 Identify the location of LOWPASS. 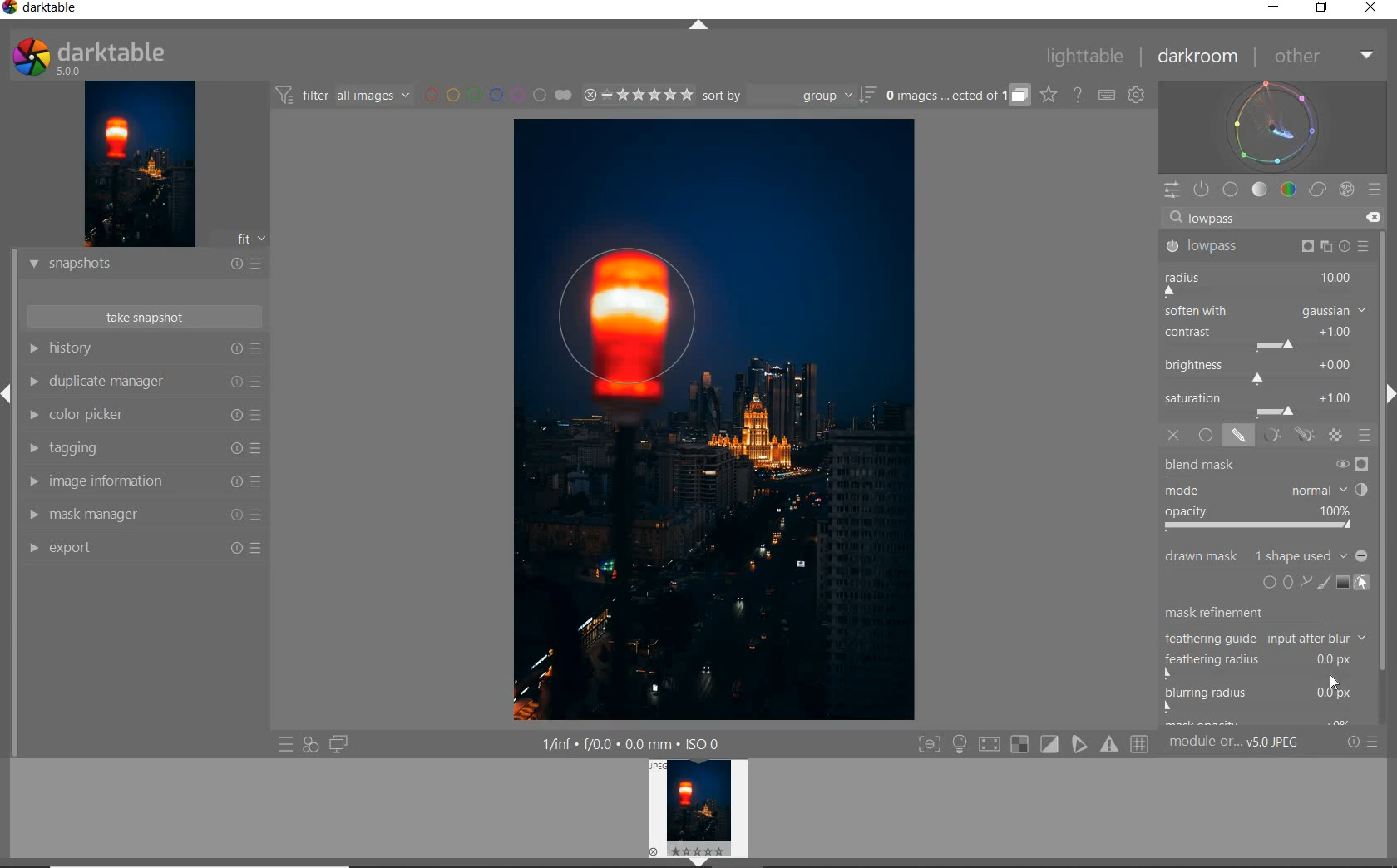
(1263, 246).